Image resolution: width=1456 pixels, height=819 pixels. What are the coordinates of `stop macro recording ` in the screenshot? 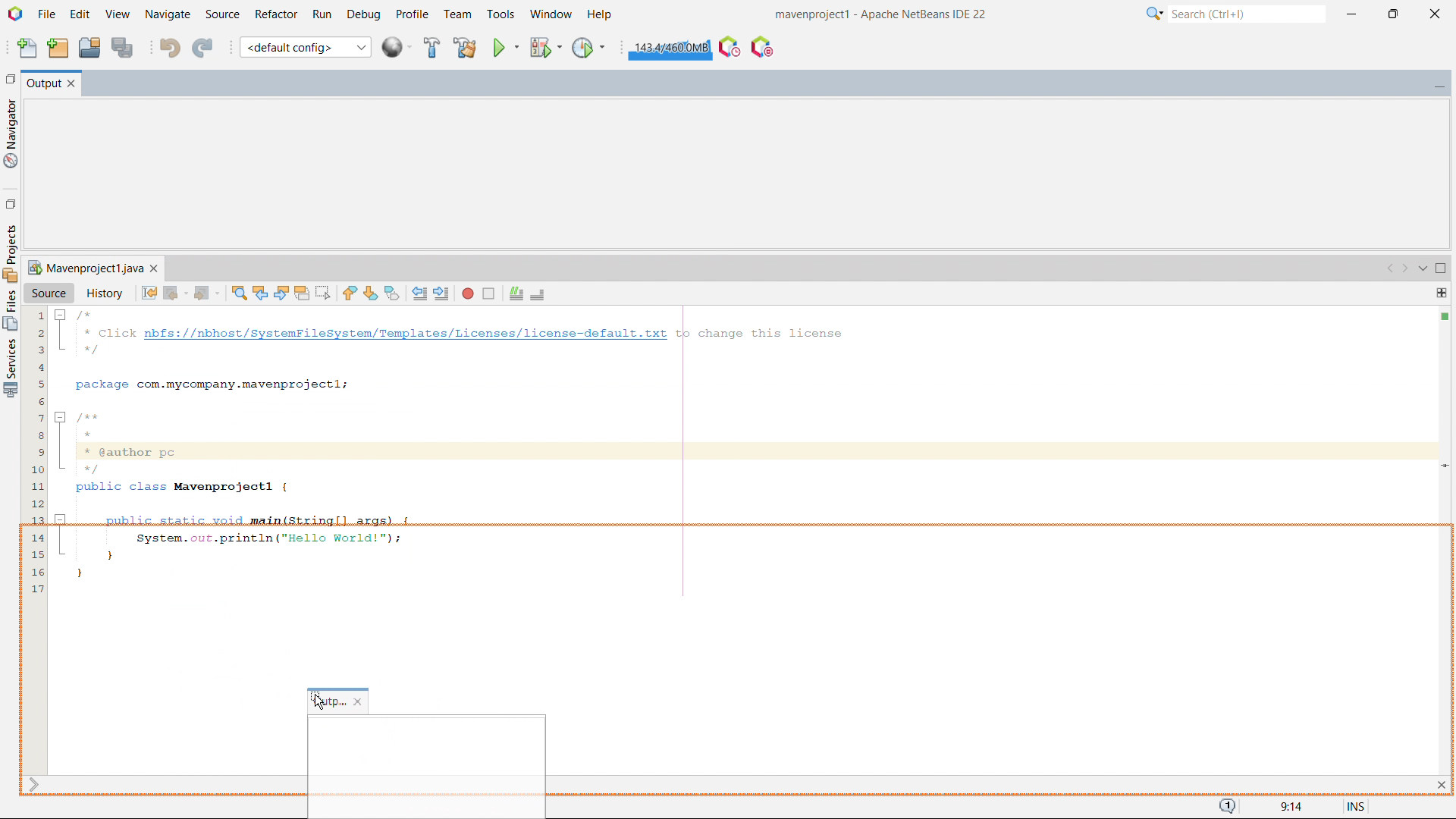 It's located at (488, 293).